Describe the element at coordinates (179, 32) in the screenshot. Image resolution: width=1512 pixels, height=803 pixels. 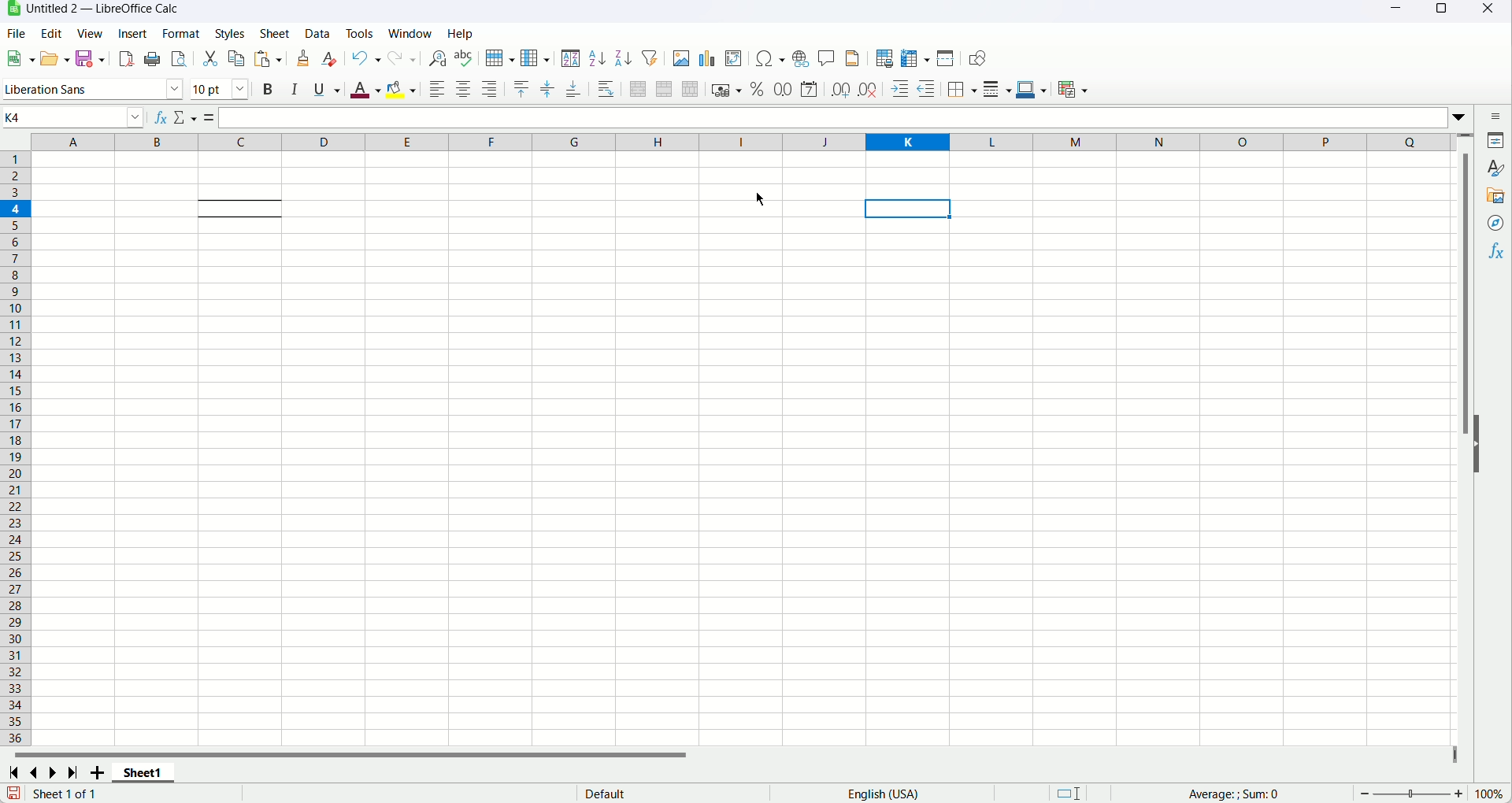
I see `Format` at that location.